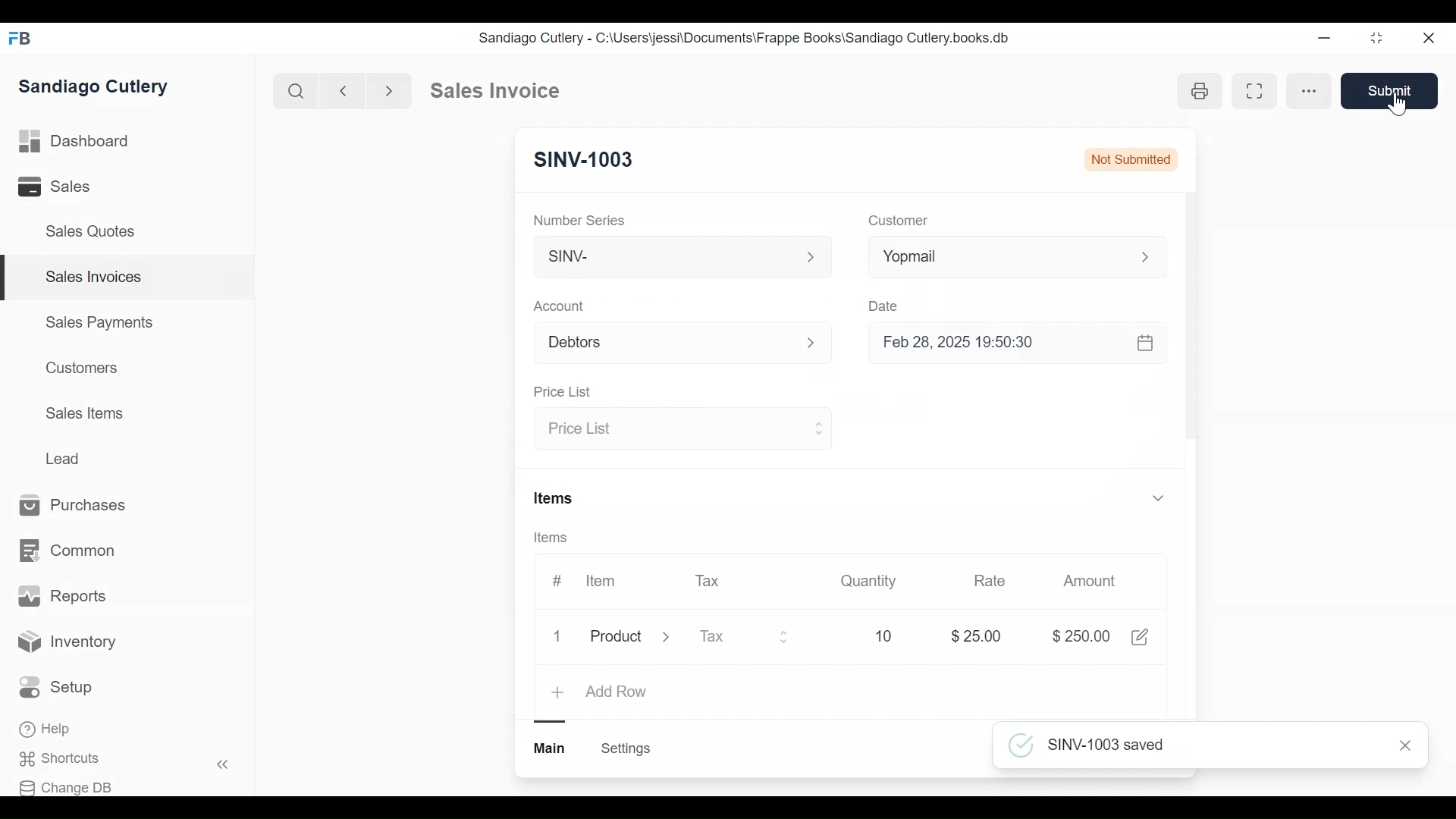 The width and height of the screenshot is (1456, 819). Describe the element at coordinates (601, 693) in the screenshot. I see `+ Add Row` at that location.